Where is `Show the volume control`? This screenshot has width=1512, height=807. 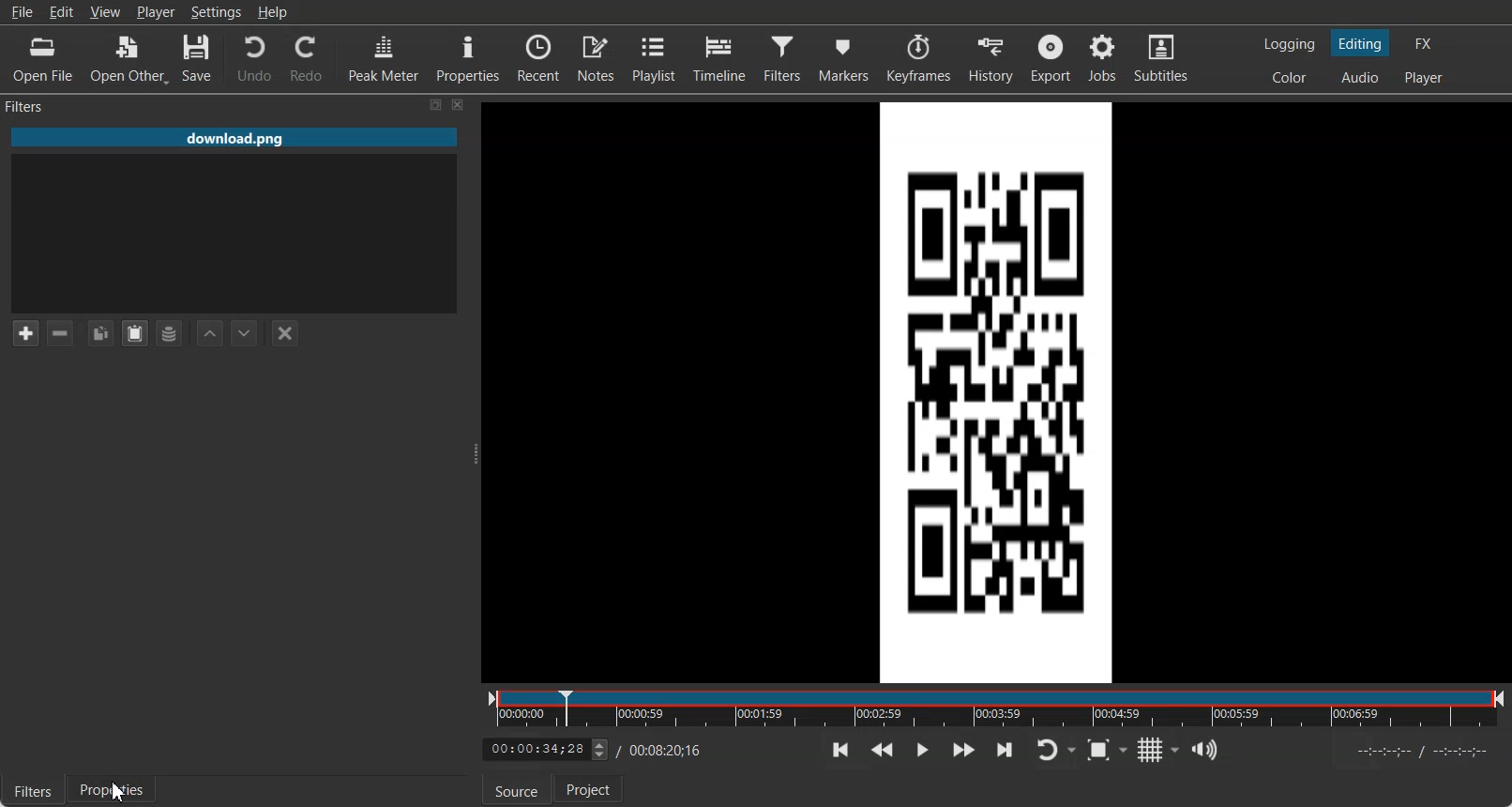 Show the volume control is located at coordinates (1205, 750).